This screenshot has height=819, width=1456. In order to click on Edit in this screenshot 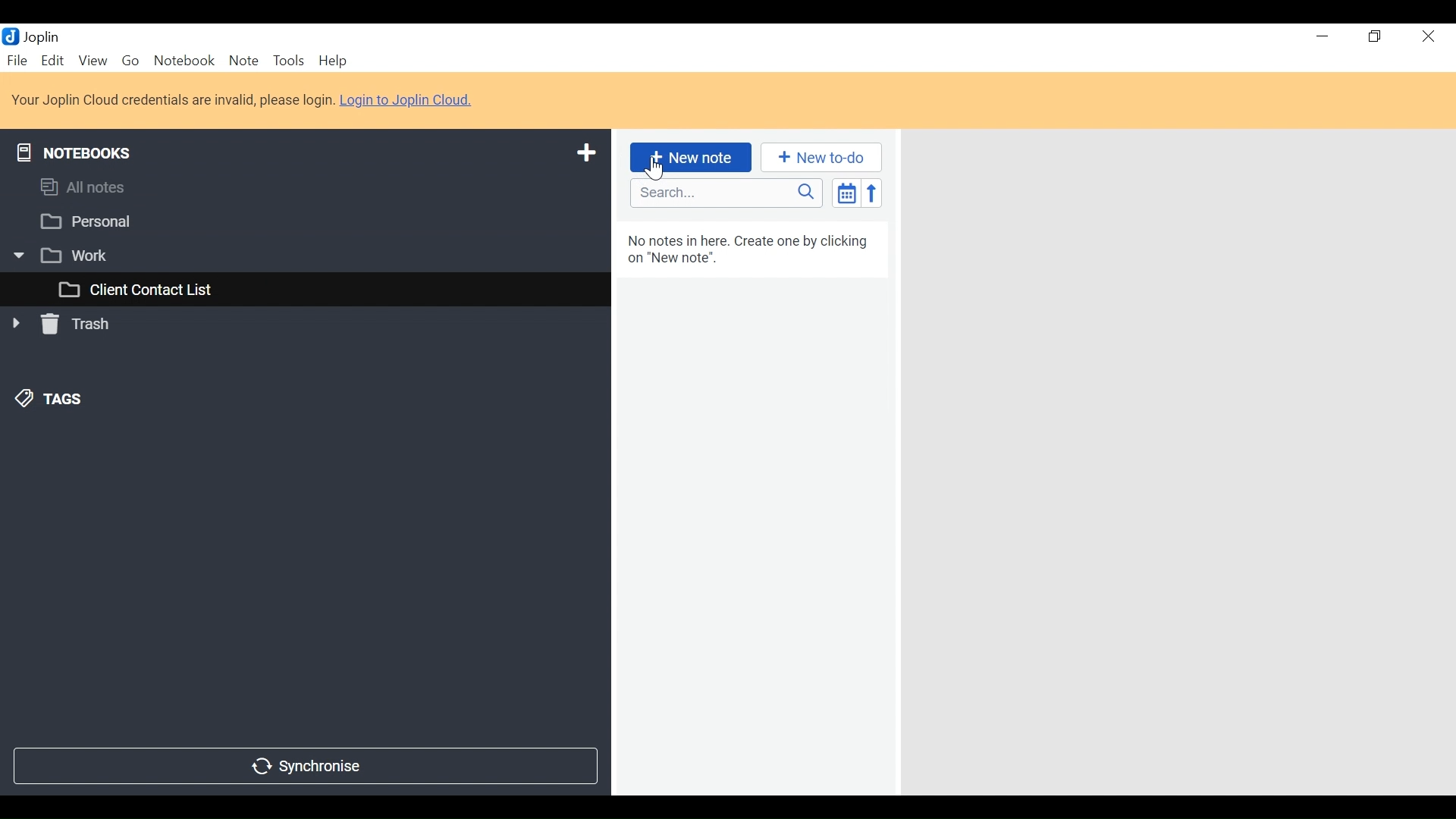, I will do `click(54, 60)`.